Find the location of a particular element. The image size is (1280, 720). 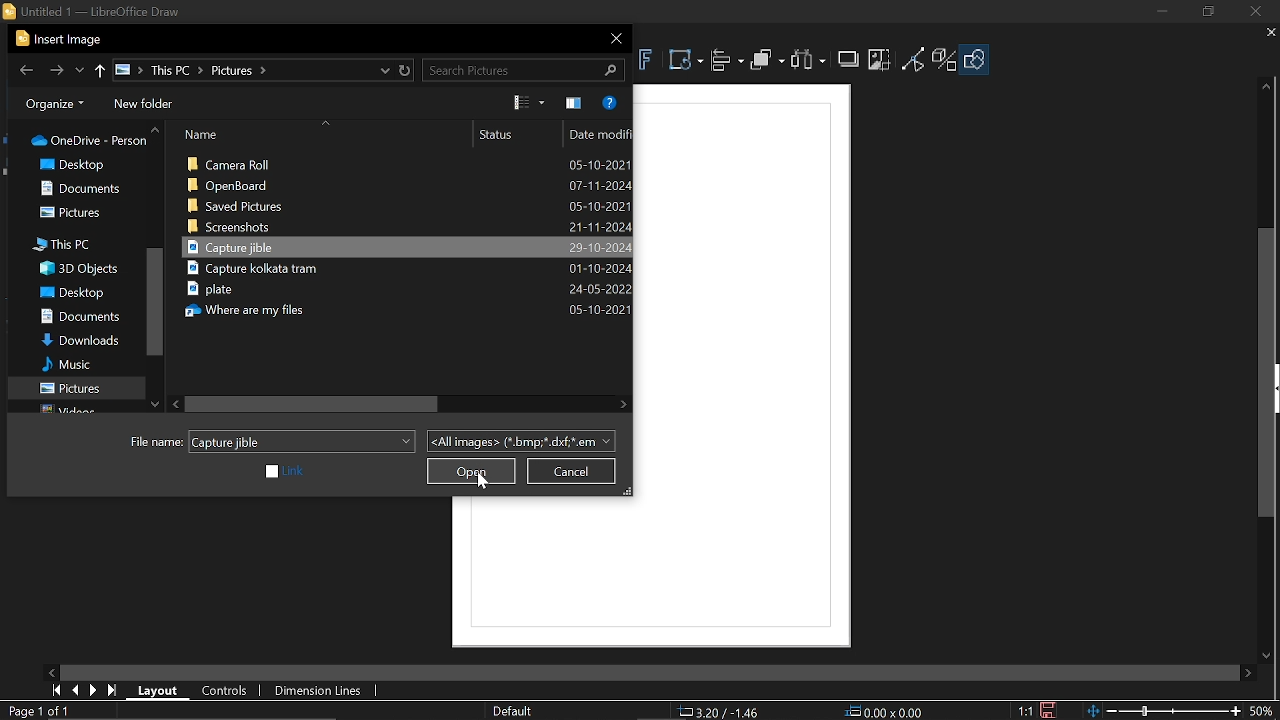

Slide master name is located at coordinates (511, 712).